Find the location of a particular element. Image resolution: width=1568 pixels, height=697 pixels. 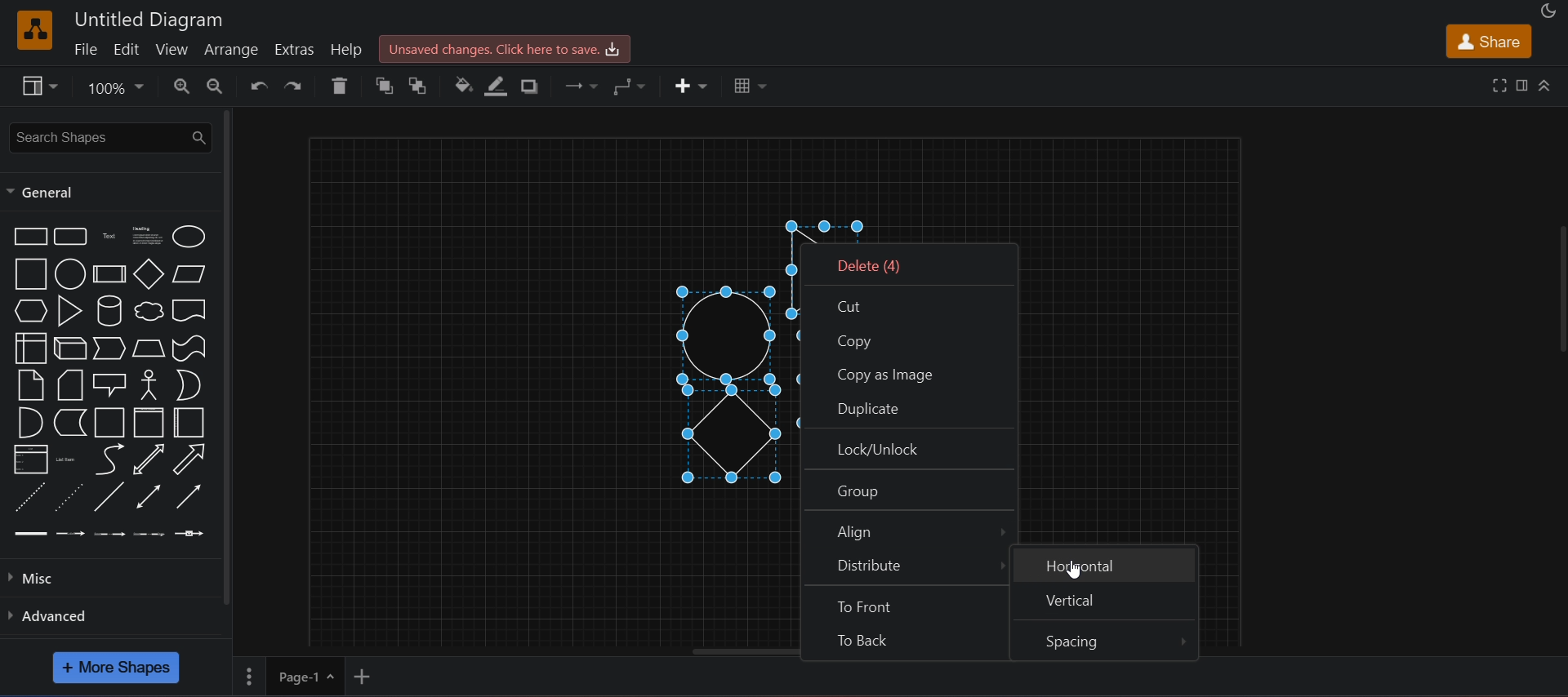

more shapes is located at coordinates (116, 667).